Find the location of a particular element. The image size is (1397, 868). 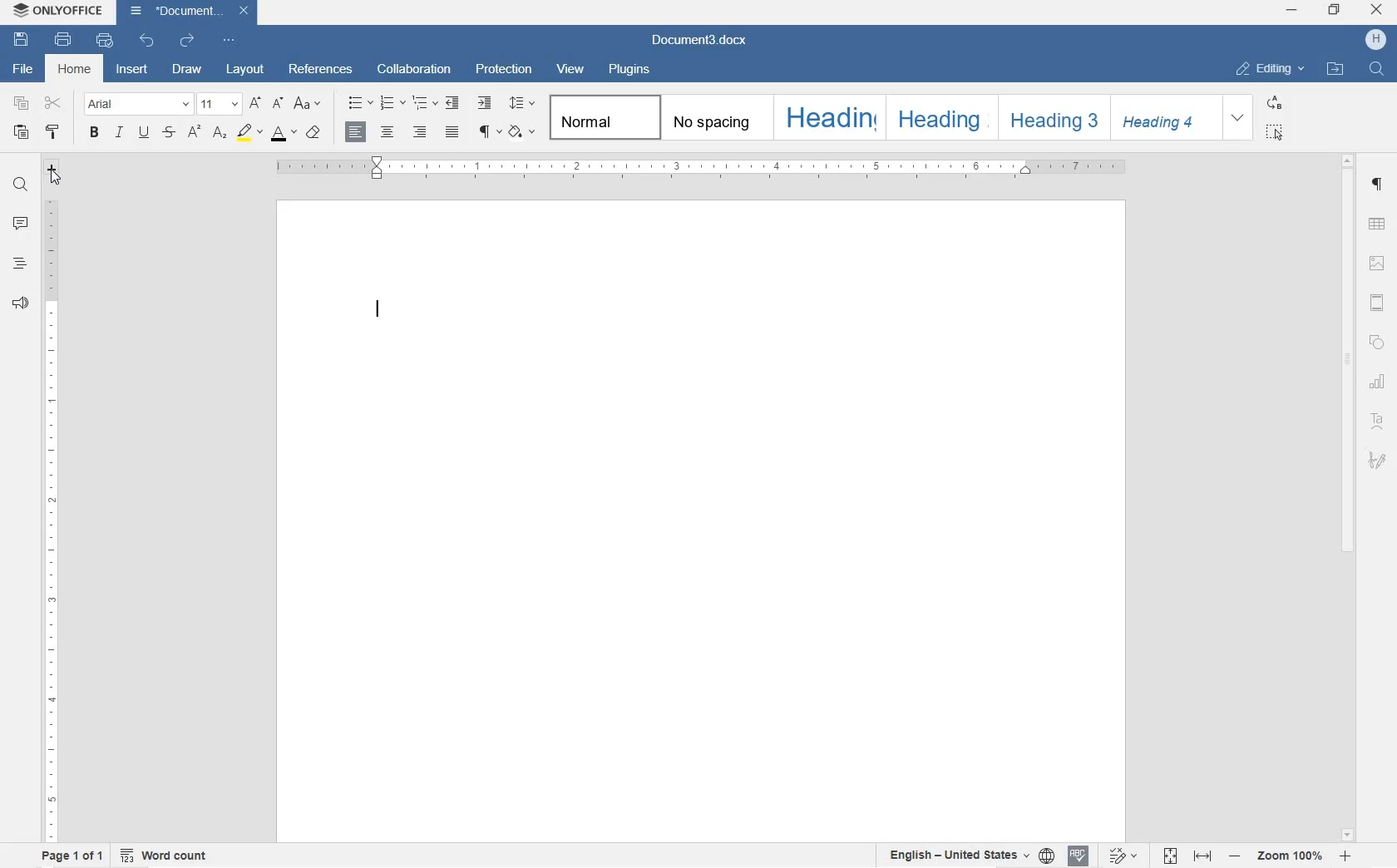

COMMENTS is located at coordinates (18, 222).